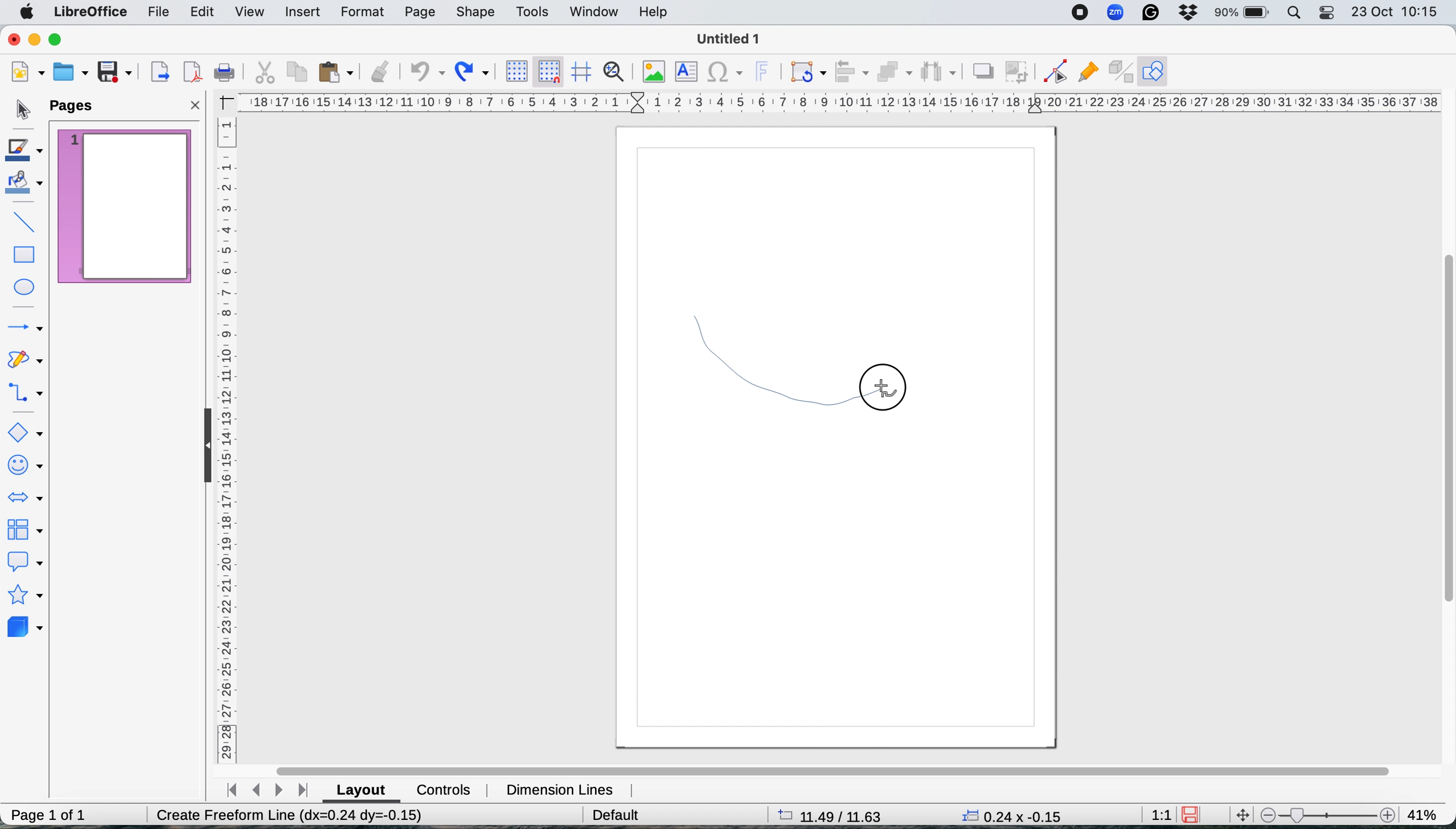 The height and width of the screenshot is (829, 1456). What do you see at coordinates (894, 73) in the screenshot?
I see `arrange` at bounding box center [894, 73].